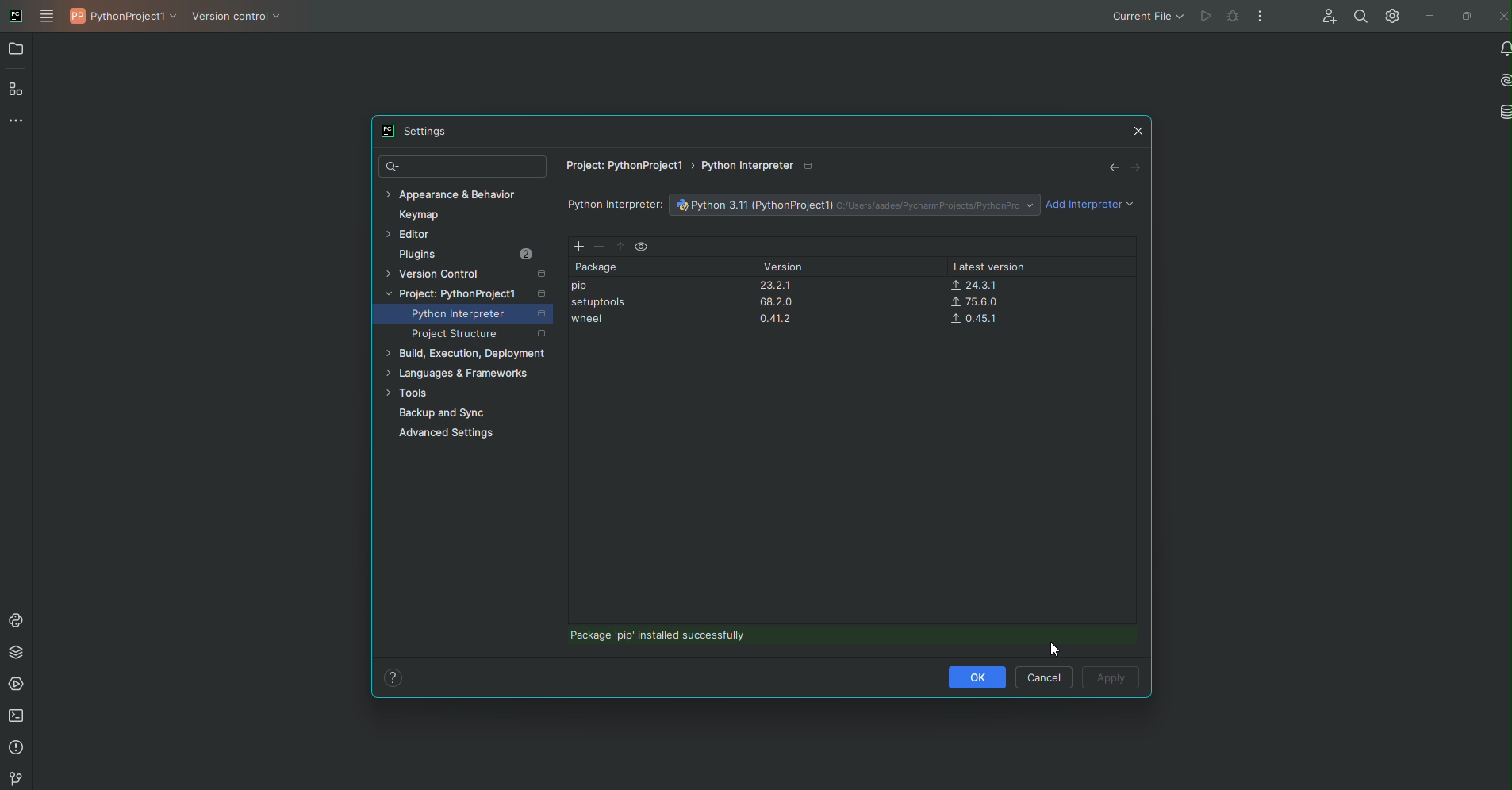  What do you see at coordinates (775, 319) in the screenshot?
I see `0.41.2` at bounding box center [775, 319].